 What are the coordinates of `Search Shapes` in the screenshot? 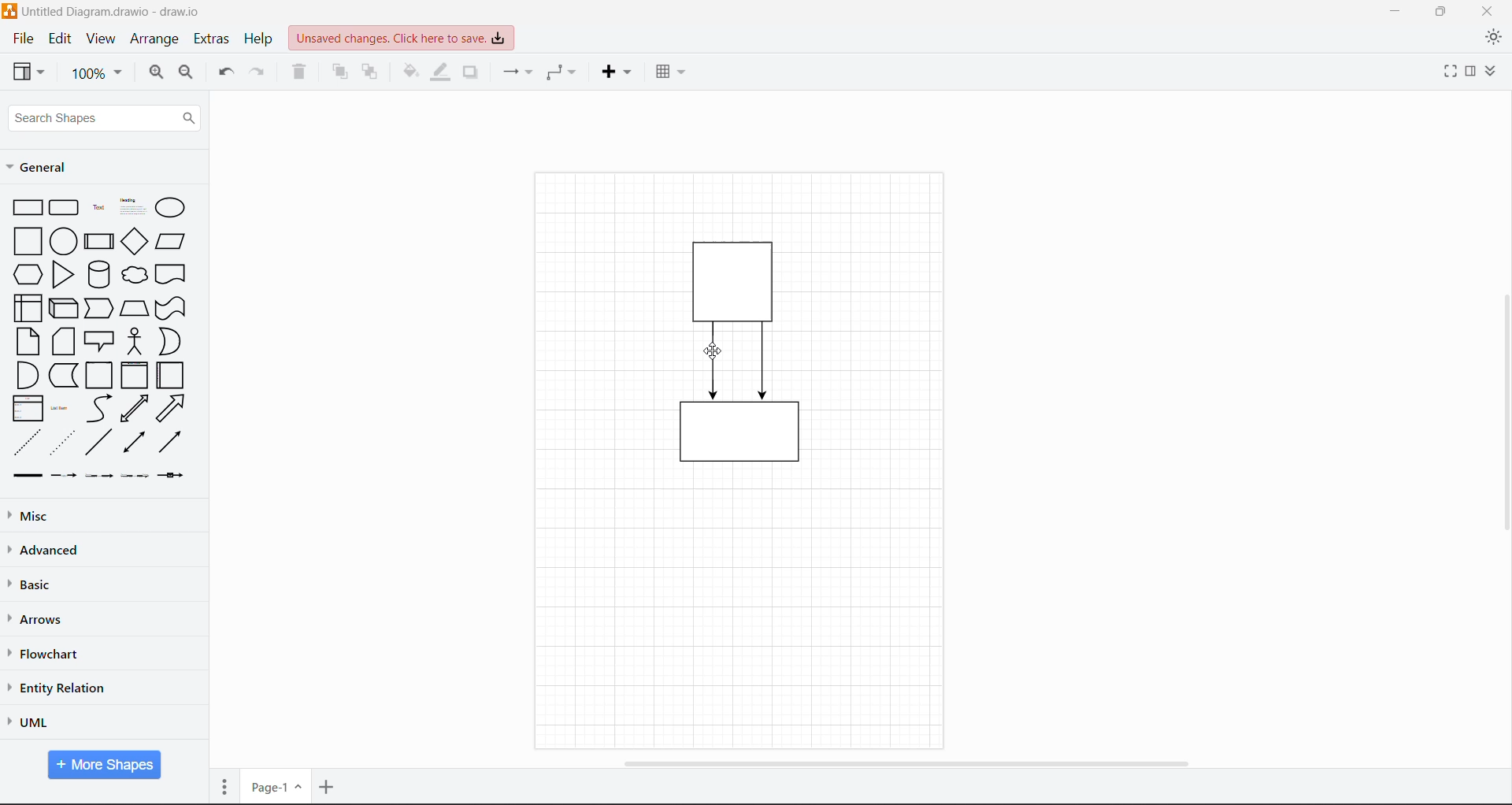 It's located at (104, 118).